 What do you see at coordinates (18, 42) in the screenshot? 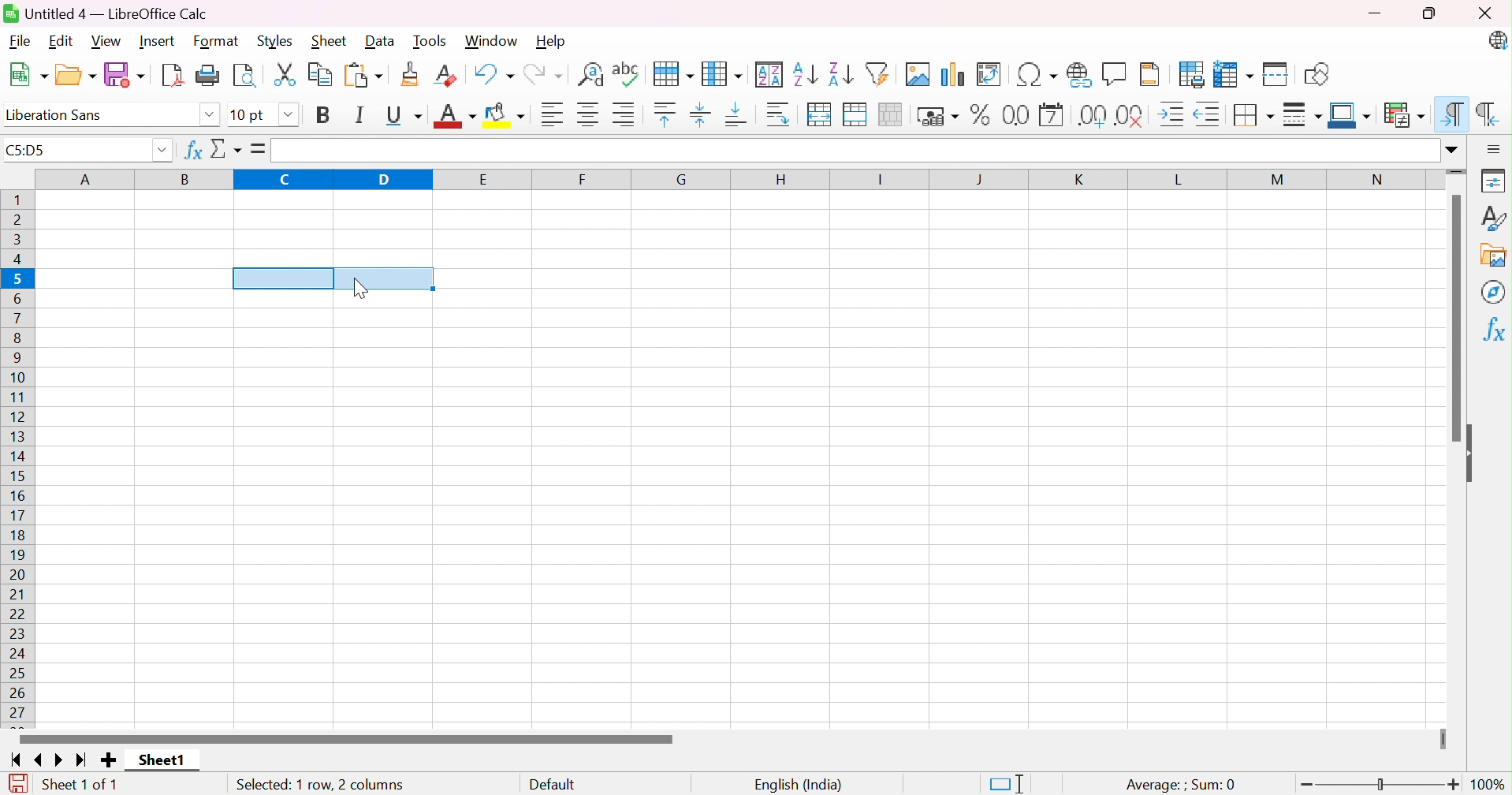
I see `File` at bounding box center [18, 42].